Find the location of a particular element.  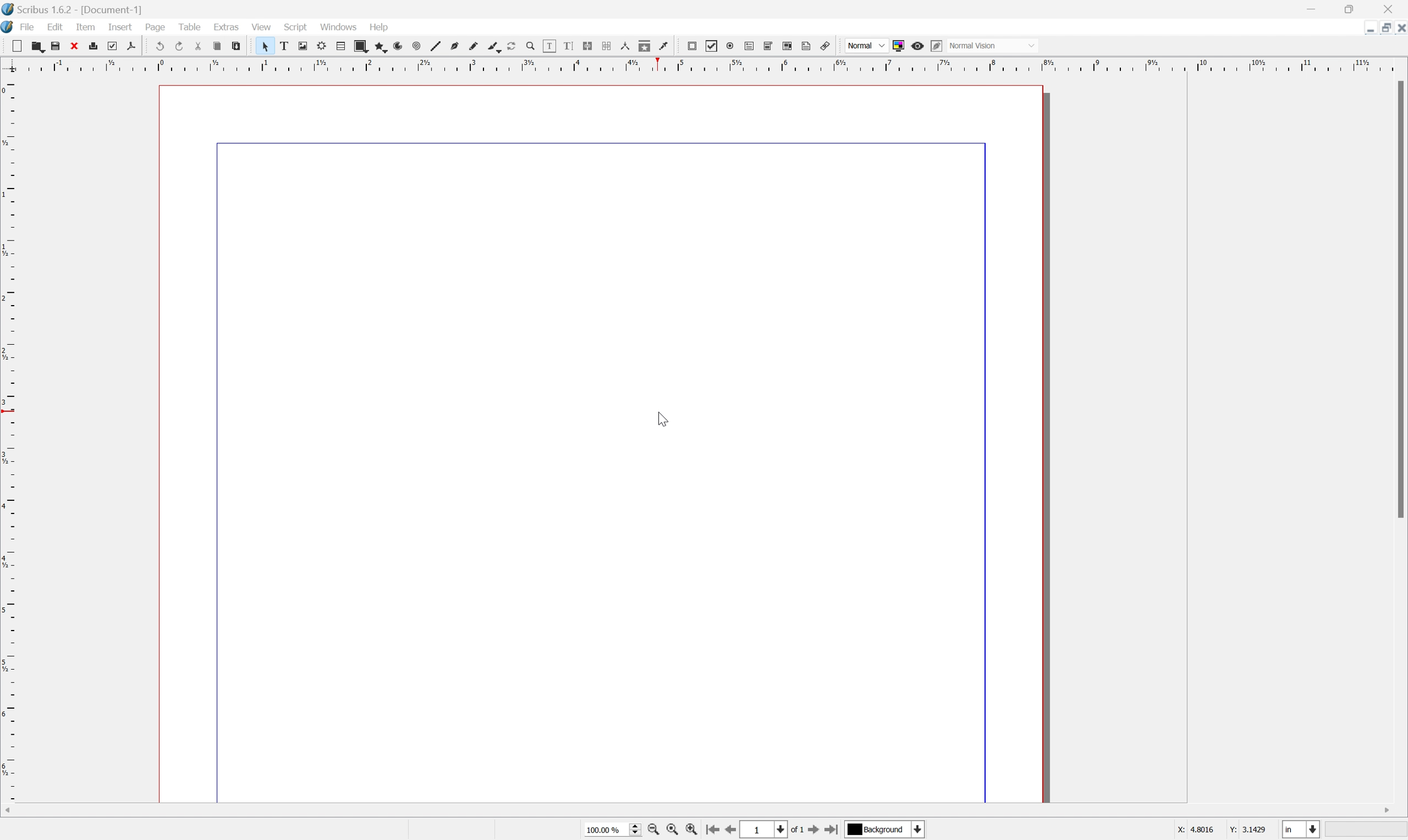

ruler is located at coordinates (9, 438).